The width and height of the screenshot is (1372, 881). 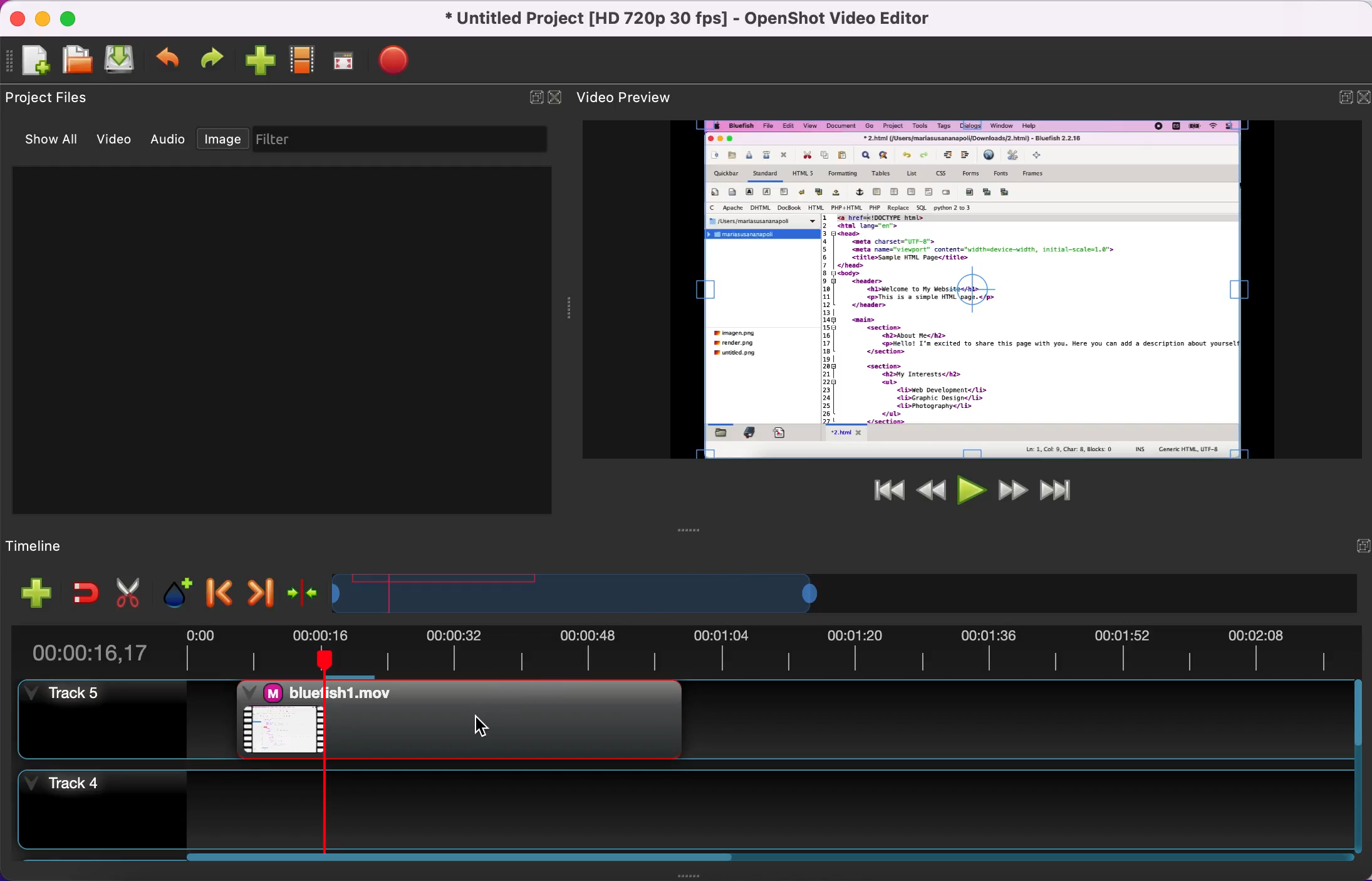 I want to click on previous marker, so click(x=217, y=588).